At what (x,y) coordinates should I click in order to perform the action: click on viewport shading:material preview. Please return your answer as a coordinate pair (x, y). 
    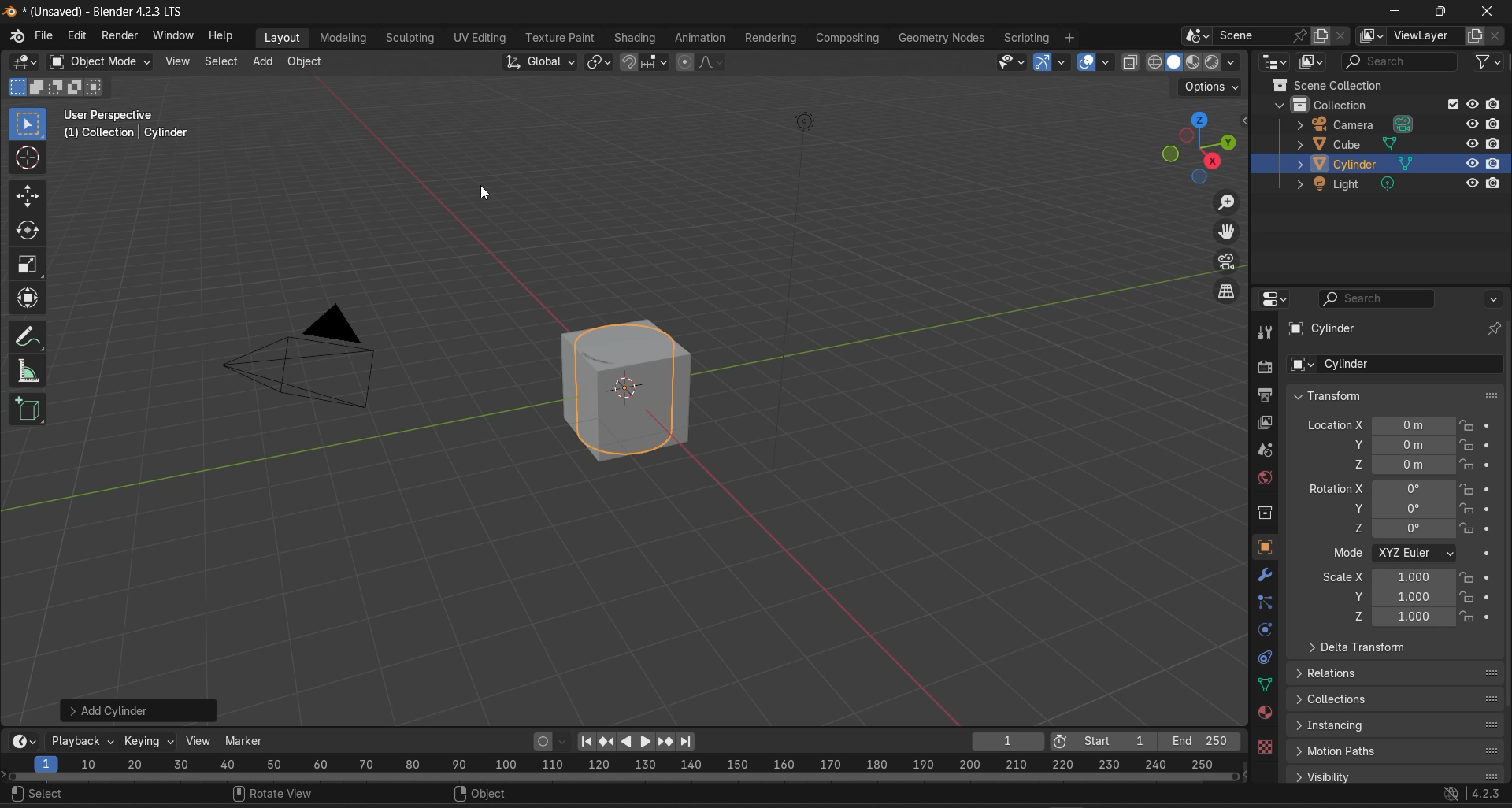
    Looking at the image, I should click on (1191, 61).